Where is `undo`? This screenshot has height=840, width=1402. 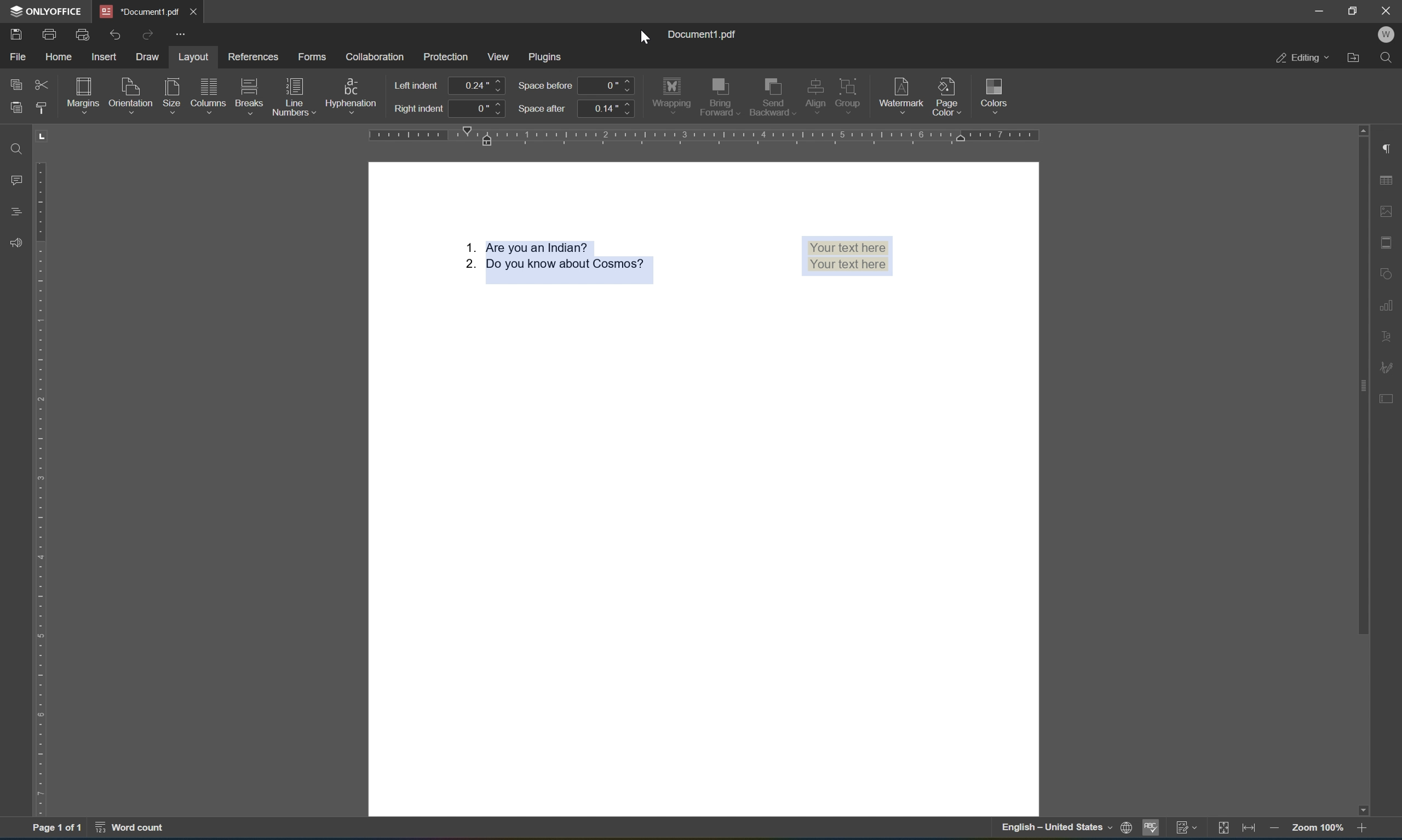 undo is located at coordinates (119, 34).